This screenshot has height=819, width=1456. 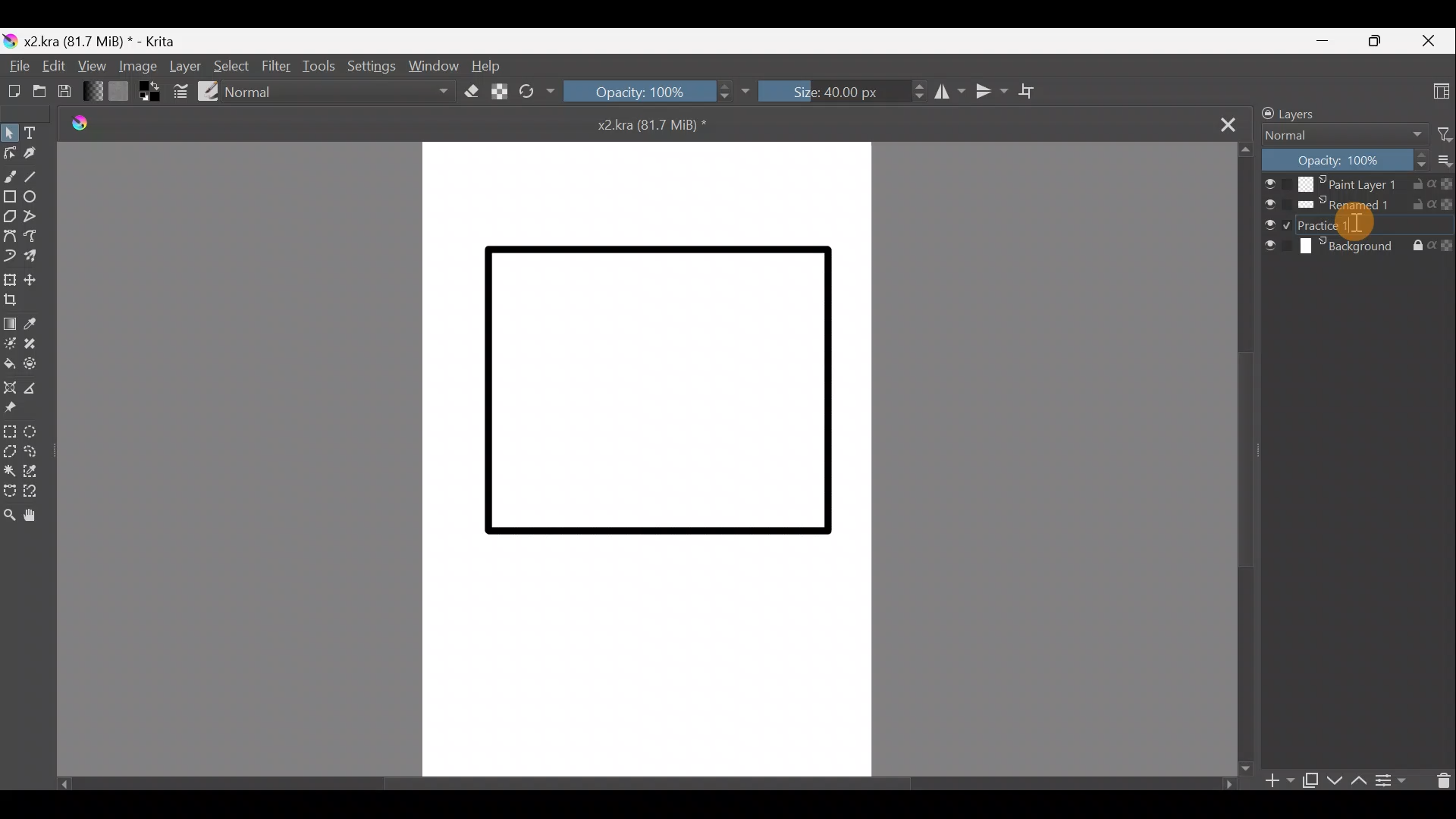 I want to click on Save, so click(x=64, y=90).